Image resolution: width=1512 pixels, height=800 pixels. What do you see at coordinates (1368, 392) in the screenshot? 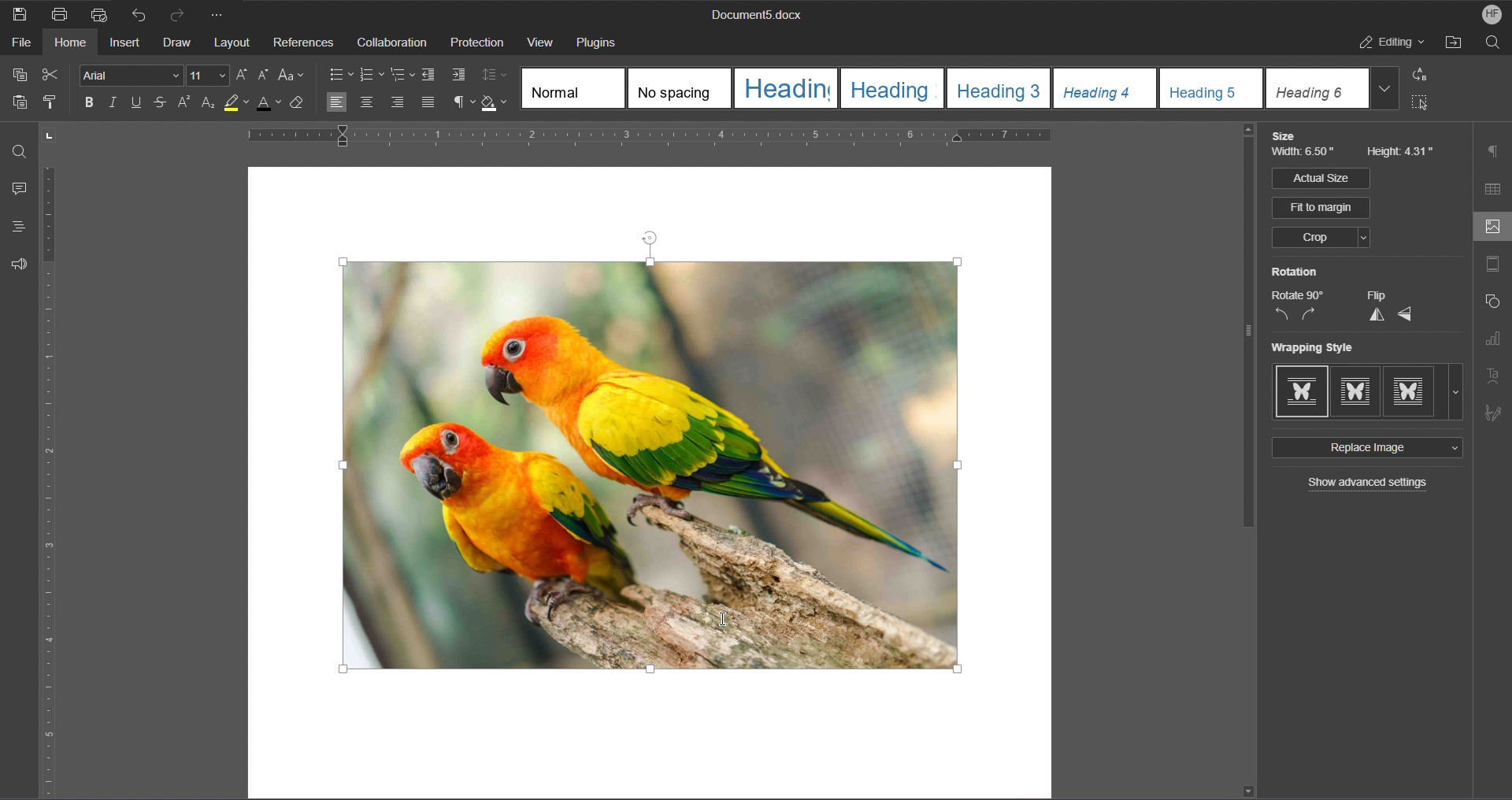
I see `Wrapping Style` at bounding box center [1368, 392].